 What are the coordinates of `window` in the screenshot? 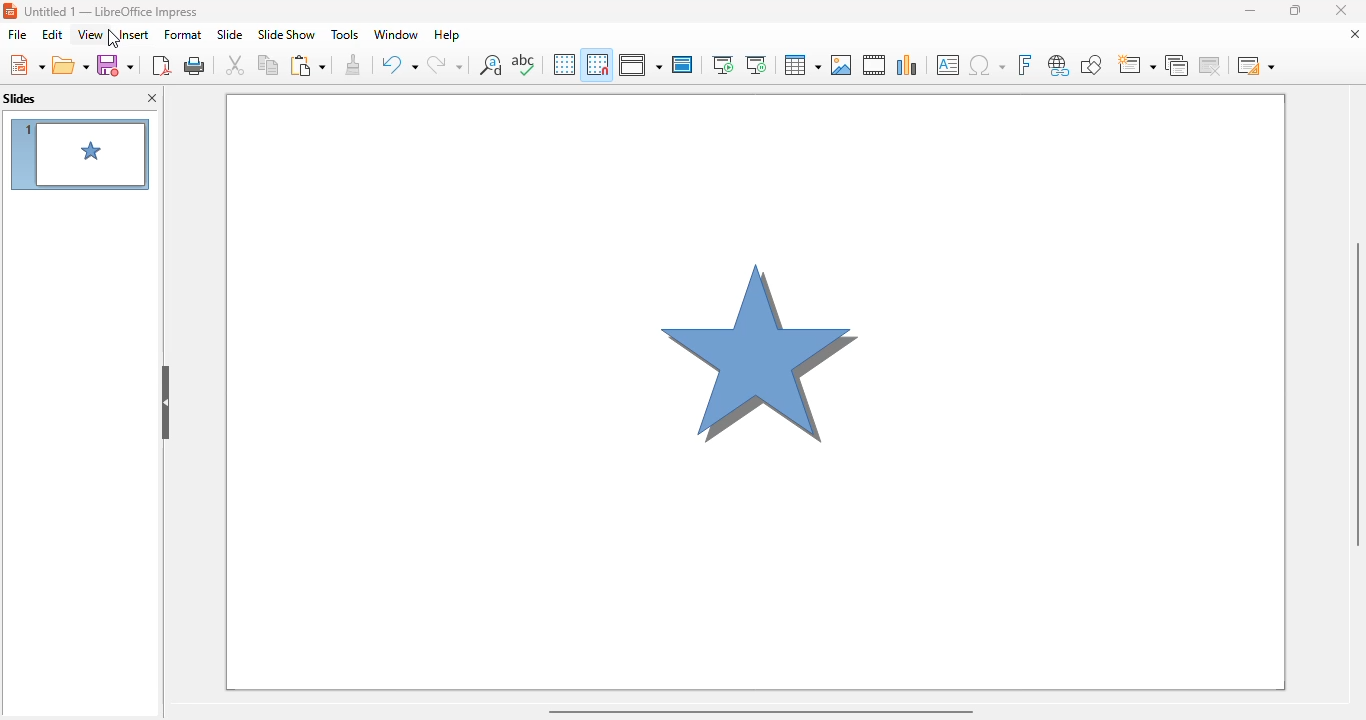 It's located at (396, 35).